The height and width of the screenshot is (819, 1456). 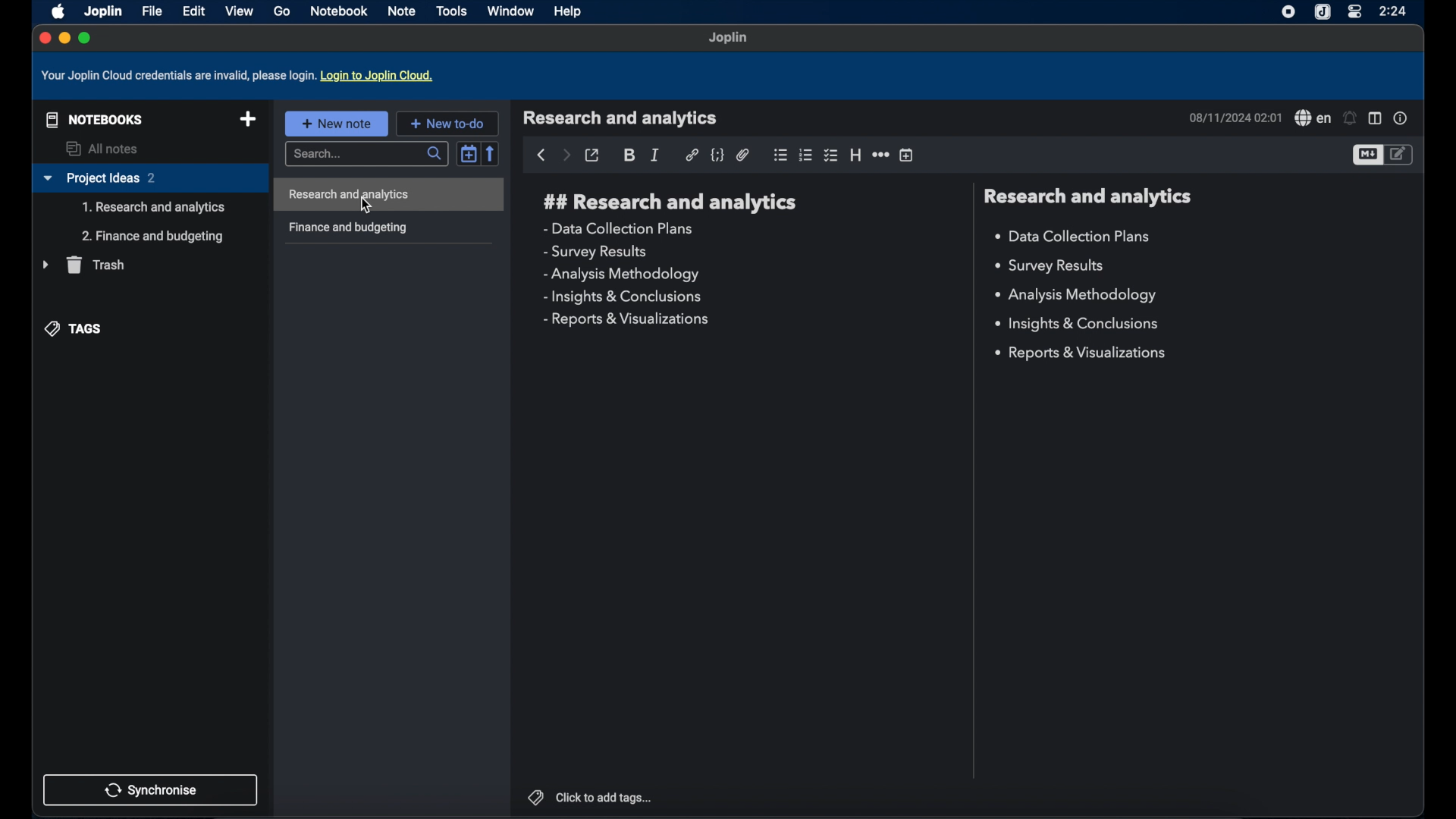 I want to click on forward, so click(x=566, y=156).